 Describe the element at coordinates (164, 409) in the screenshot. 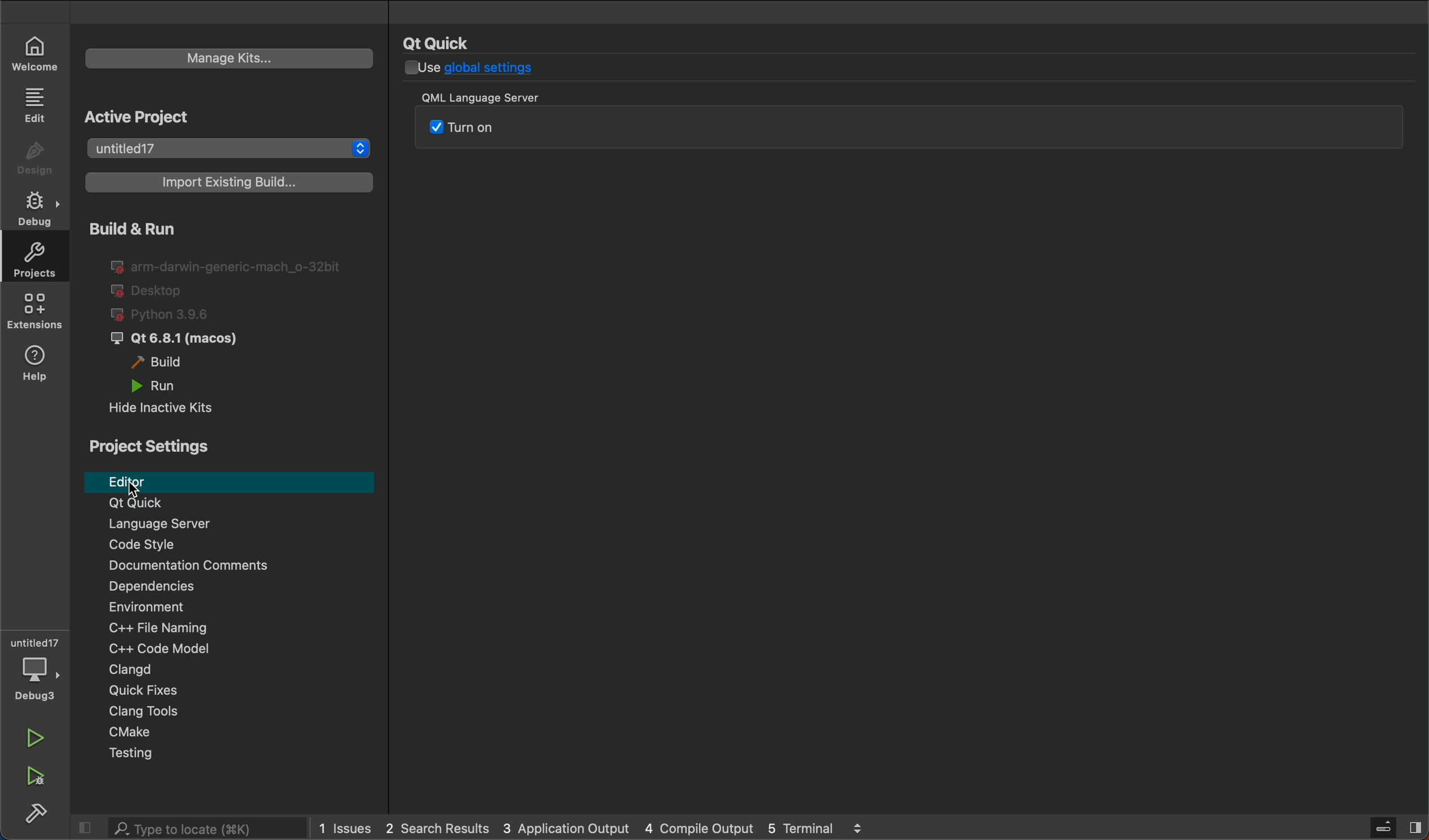

I see `hide inactive kits` at that location.